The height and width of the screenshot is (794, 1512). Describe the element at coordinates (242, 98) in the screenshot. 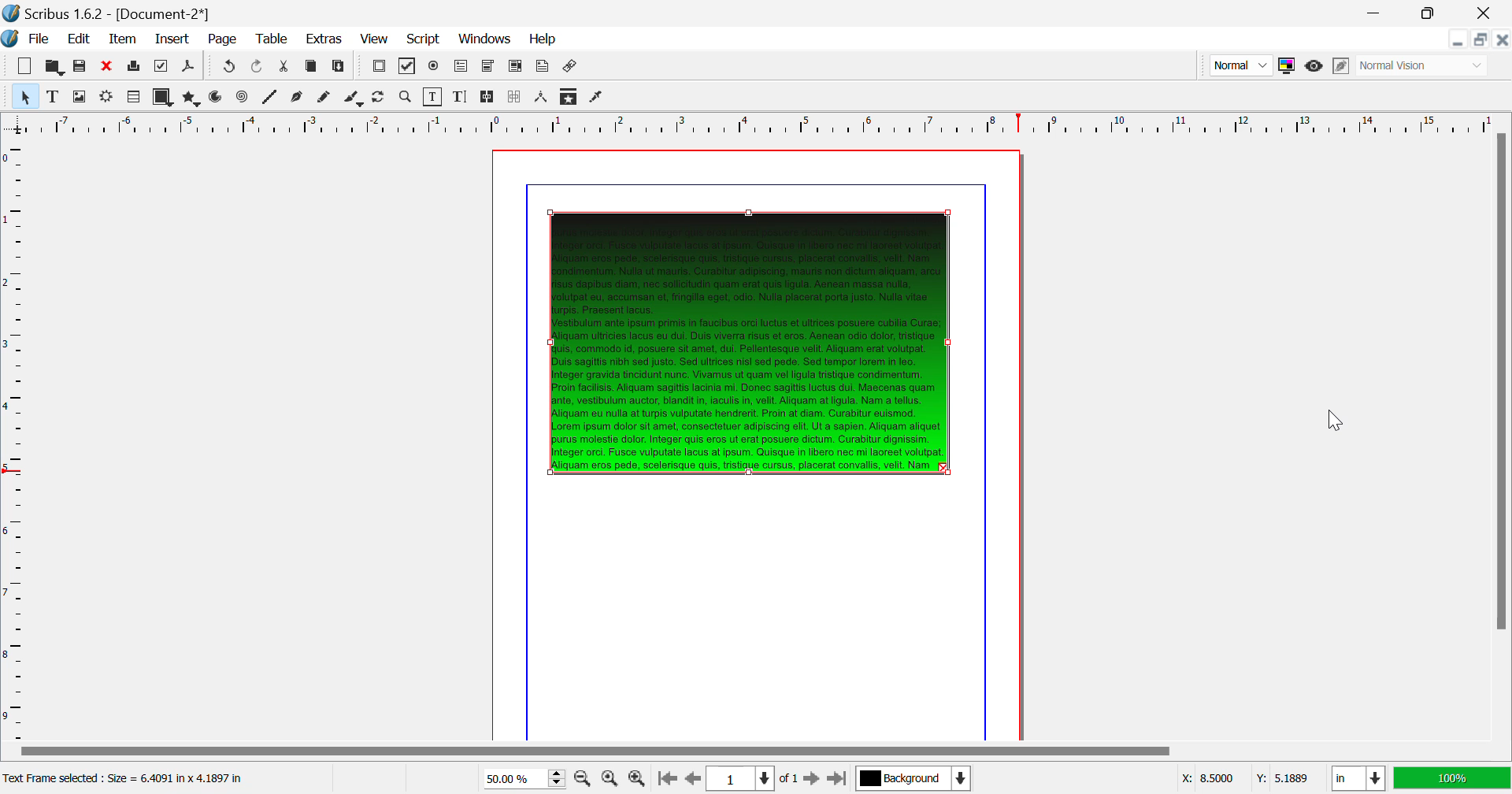

I see `Spiral` at that location.